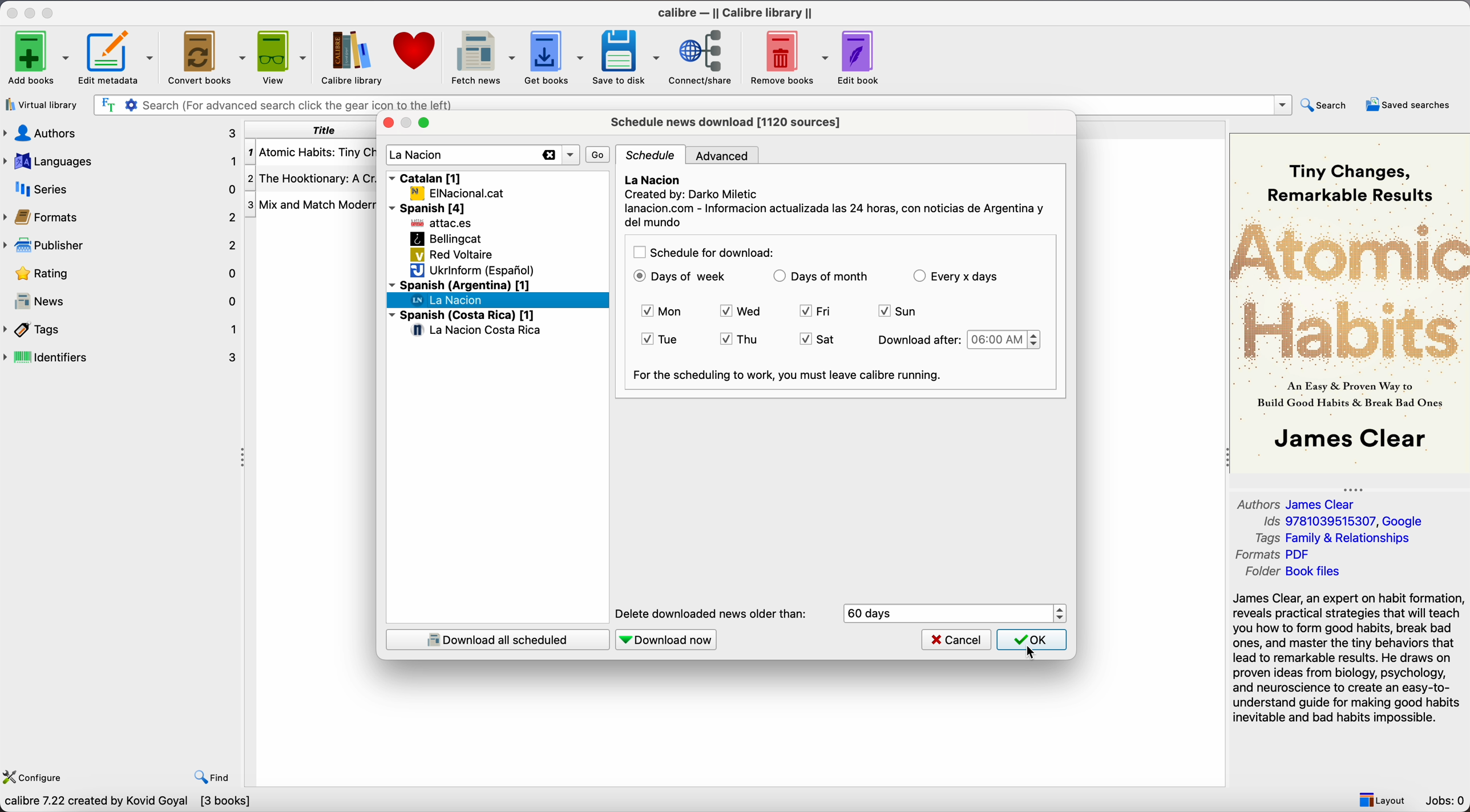 The height and width of the screenshot is (812, 1470). What do you see at coordinates (122, 134) in the screenshot?
I see `authors` at bounding box center [122, 134].